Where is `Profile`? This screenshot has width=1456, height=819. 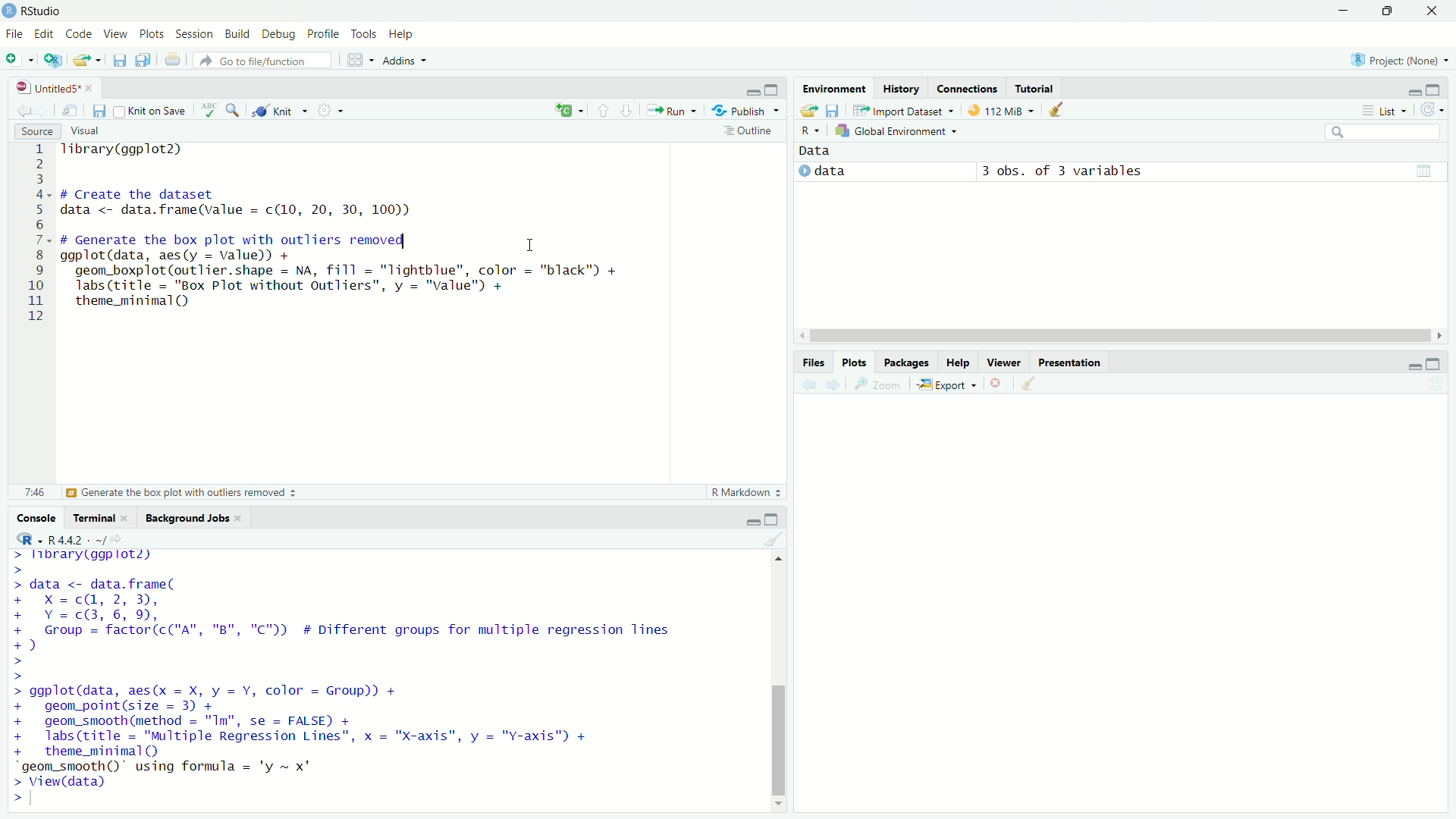 Profile is located at coordinates (326, 35).